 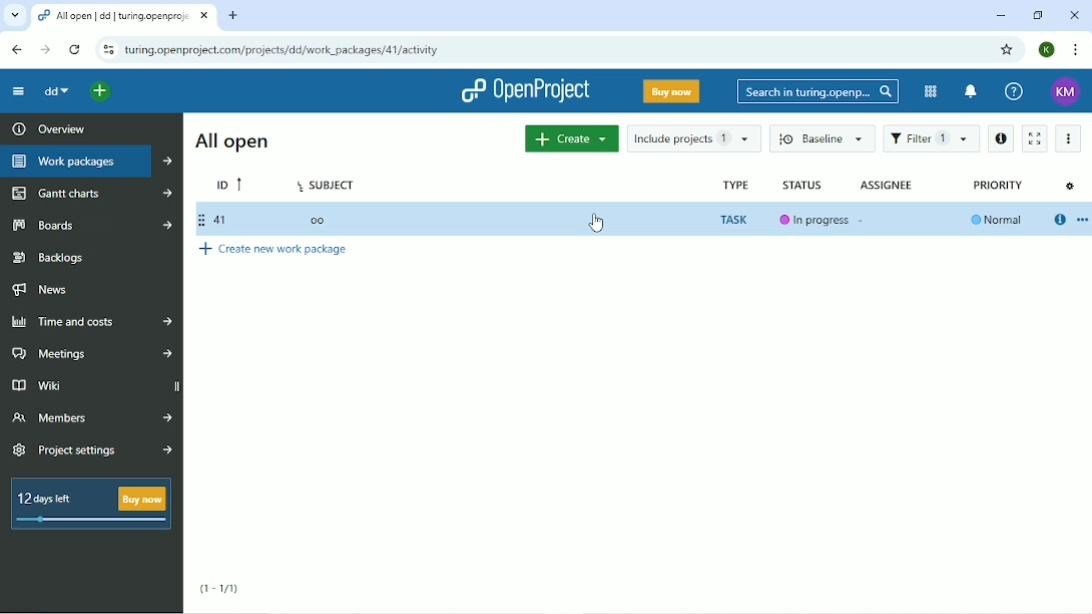 I want to click on ID, so click(x=227, y=185).